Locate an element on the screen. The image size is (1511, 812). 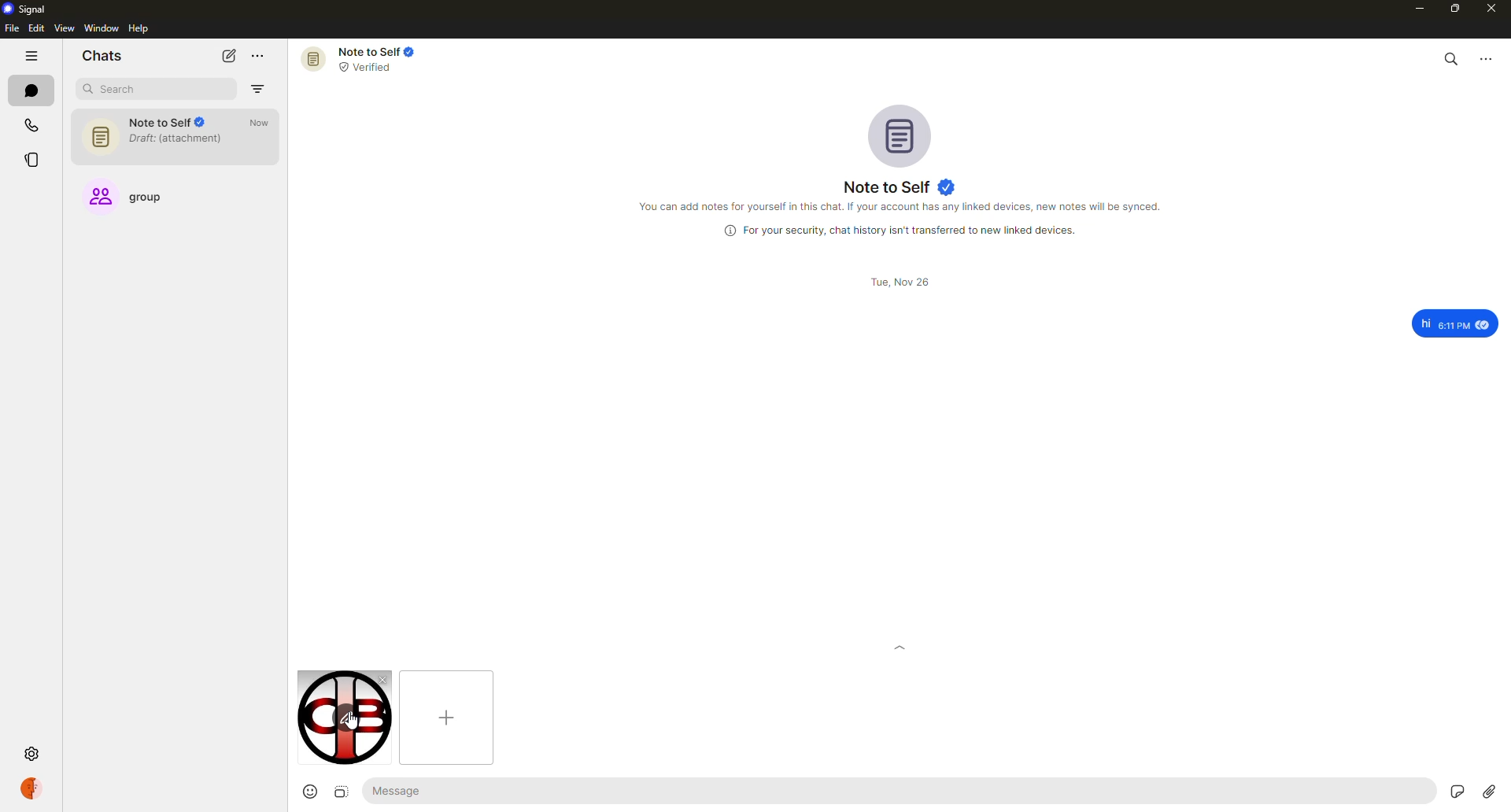
note to self is located at coordinates (900, 187).